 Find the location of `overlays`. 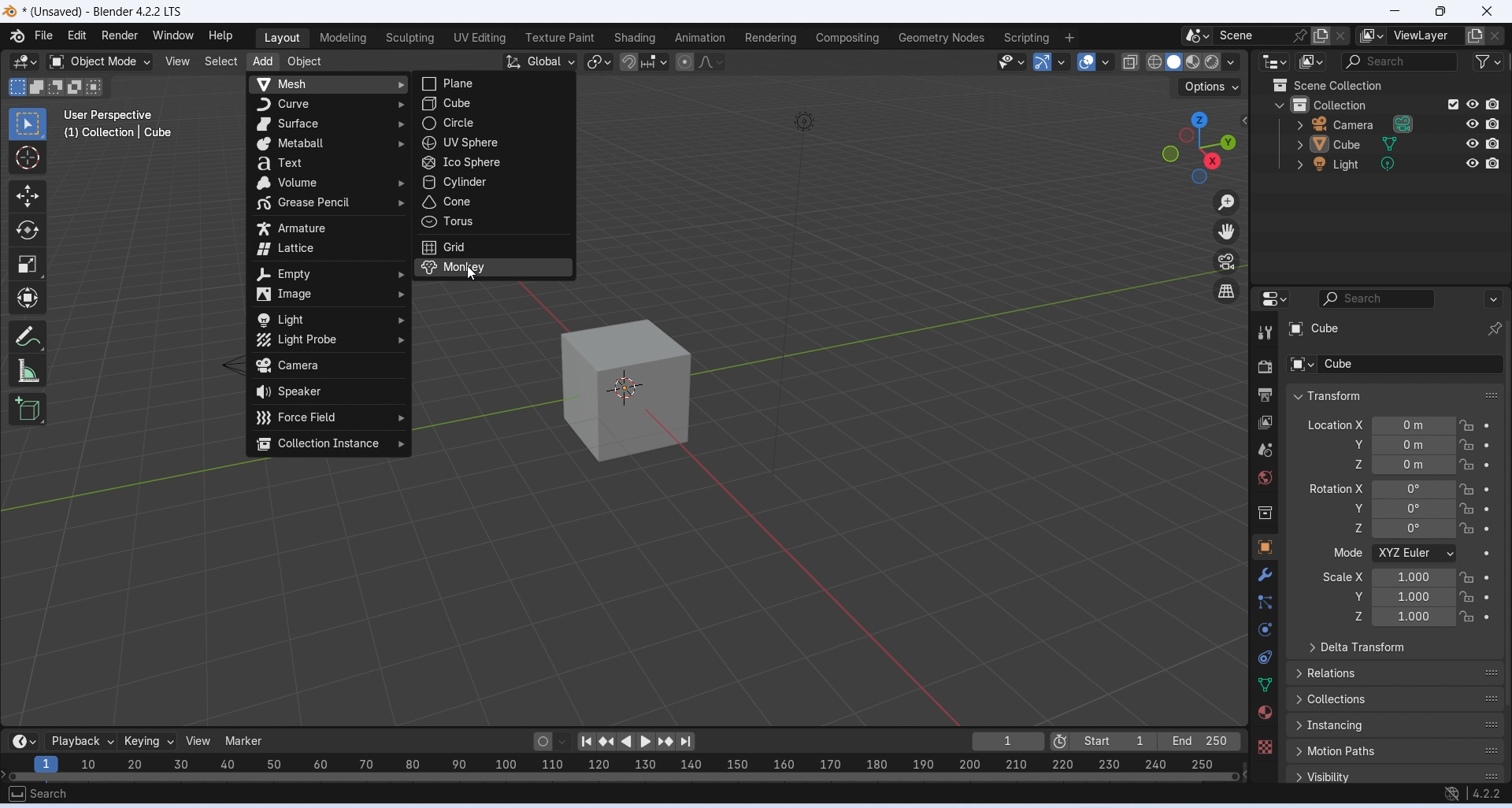

overlays is located at coordinates (1105, 62).